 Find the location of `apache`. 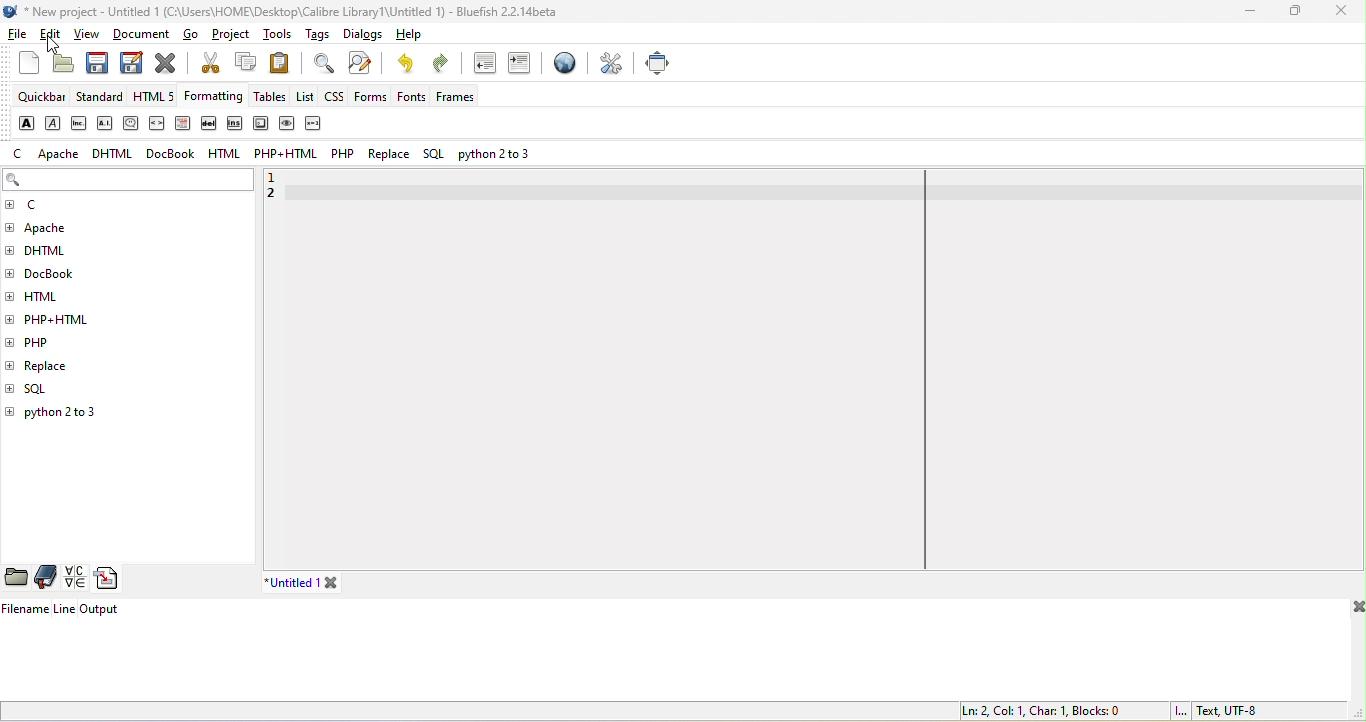

apache is located at coordinates (62, 228).